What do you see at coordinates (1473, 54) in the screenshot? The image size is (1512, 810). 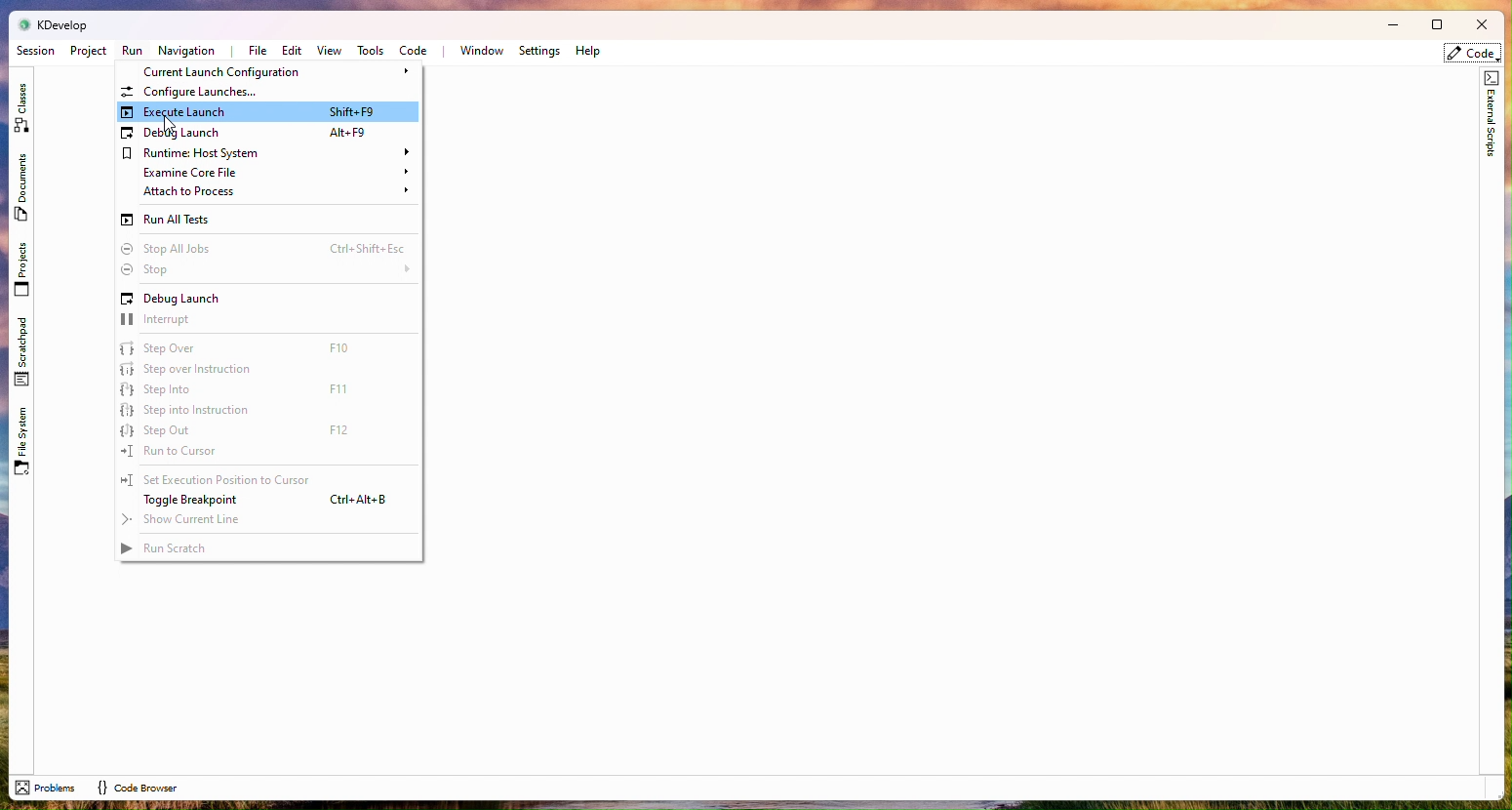 I see `code` at bounding box center [1473, 54].